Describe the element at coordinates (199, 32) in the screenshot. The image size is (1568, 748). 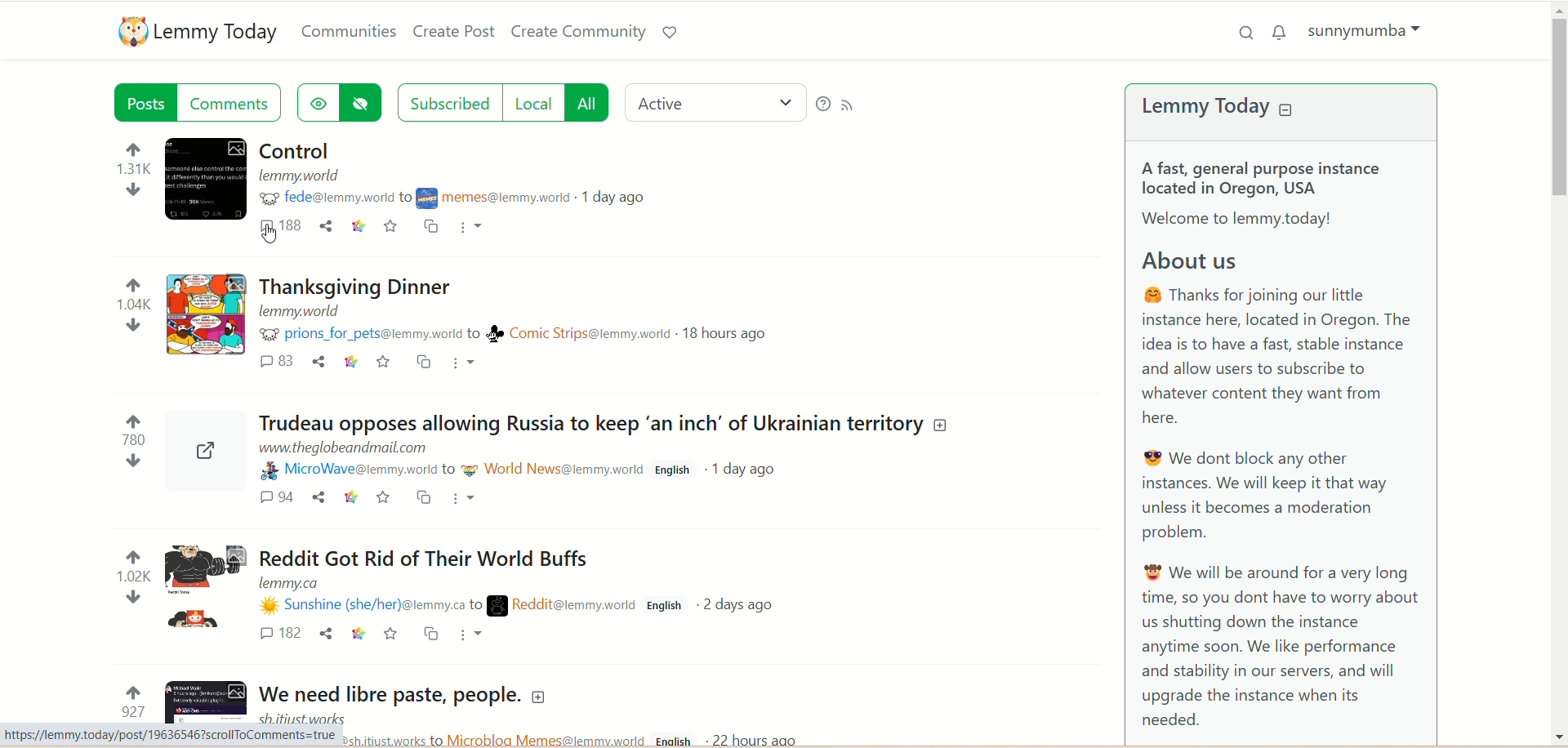
I see `lemmy today` at that location.